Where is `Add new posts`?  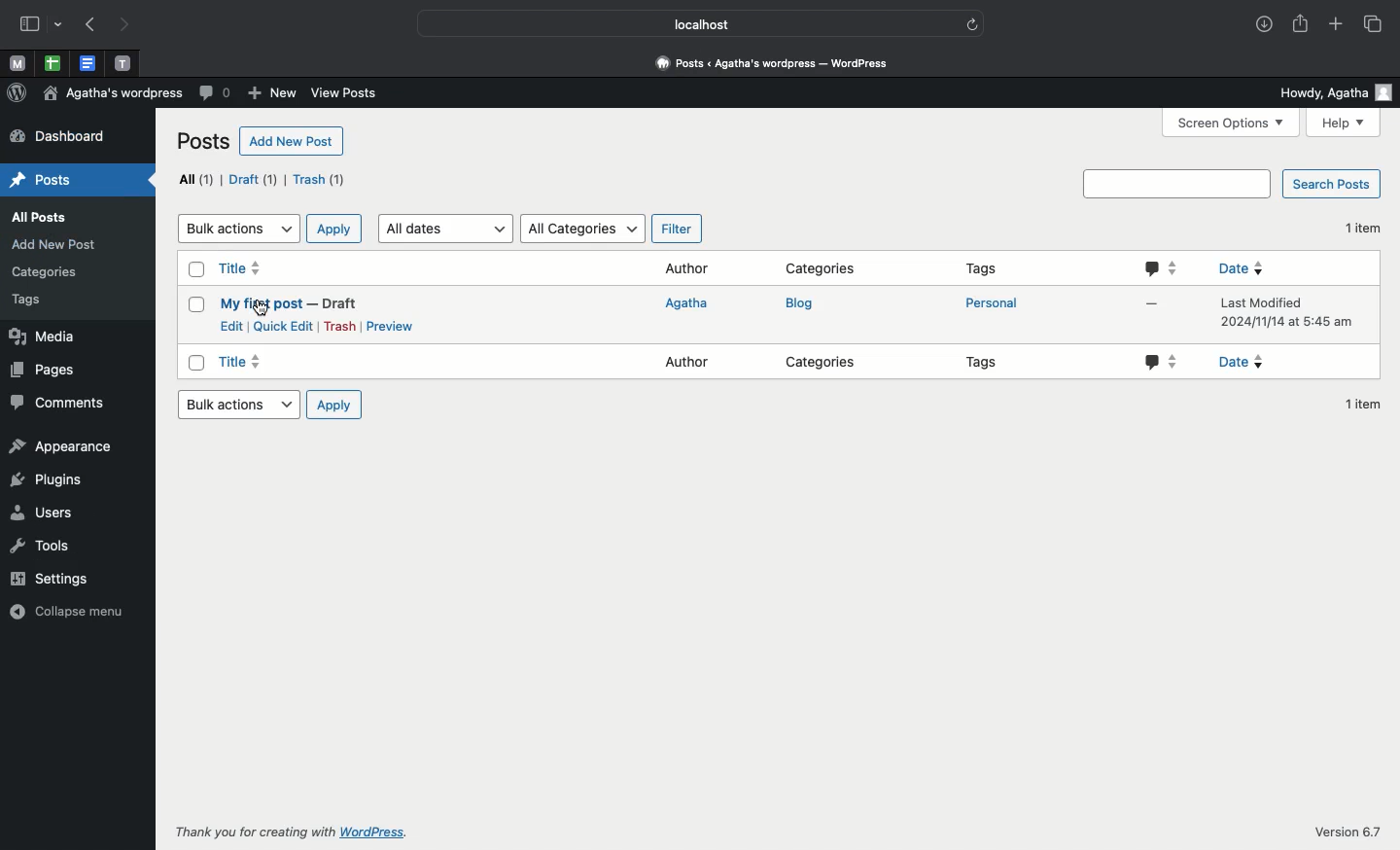 Add new posts is located at coordinates (290, 143).